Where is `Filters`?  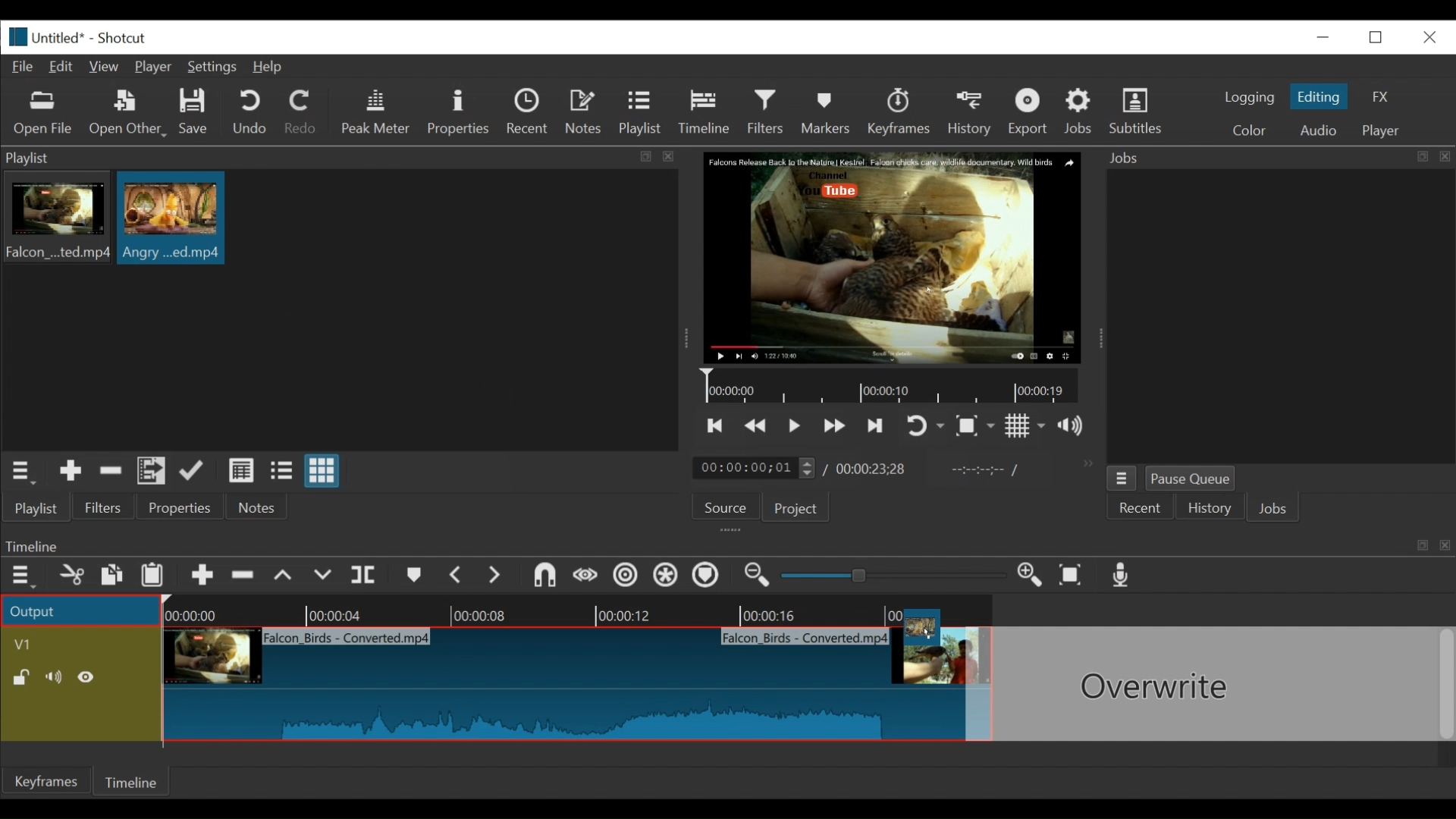 Filters is located at coordinates (104, 508).